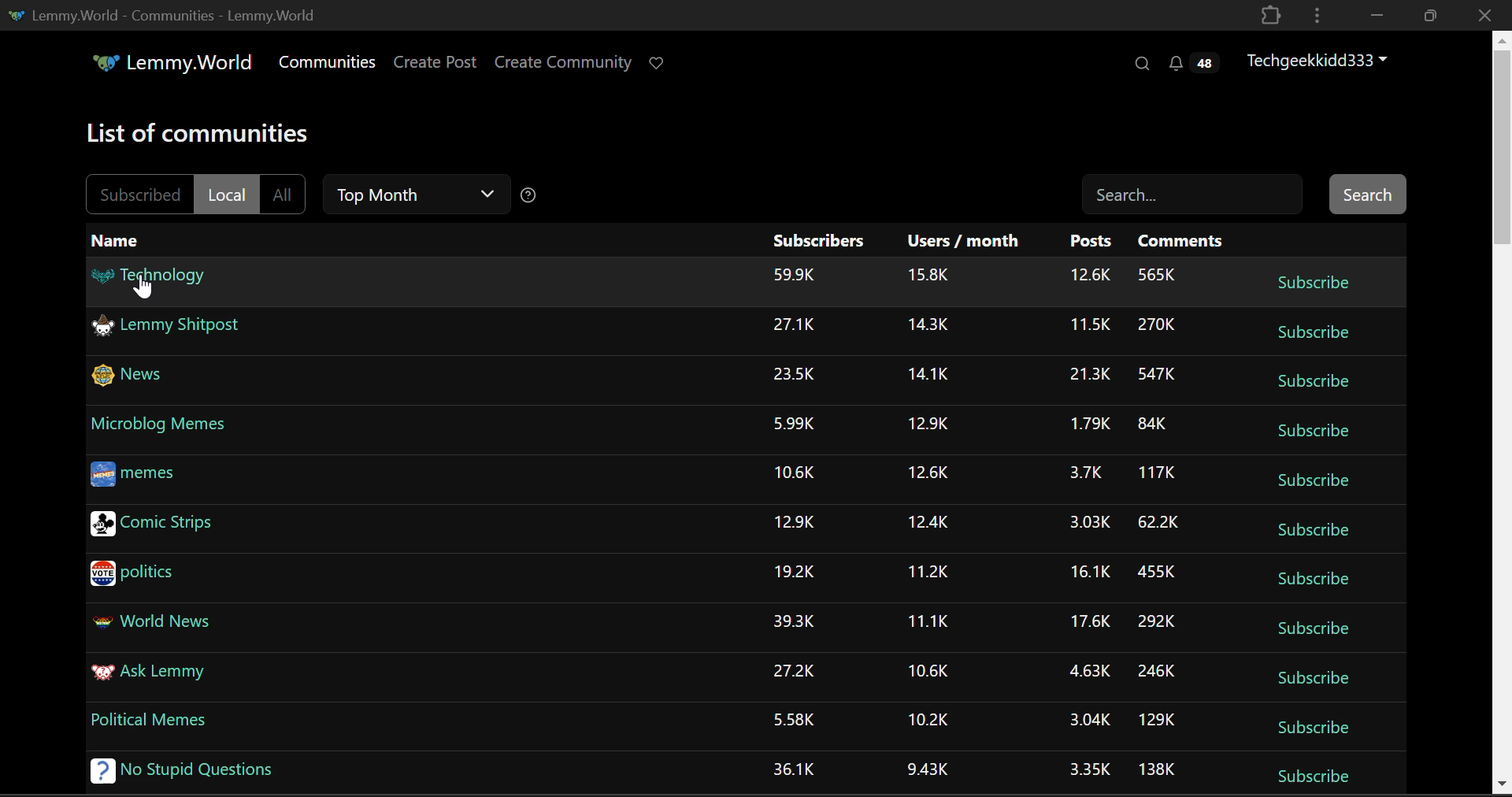 The image size is (1512, 797). Describe the element at coordinates (795, 373) in the screenshot. I see `Amount` at that location.